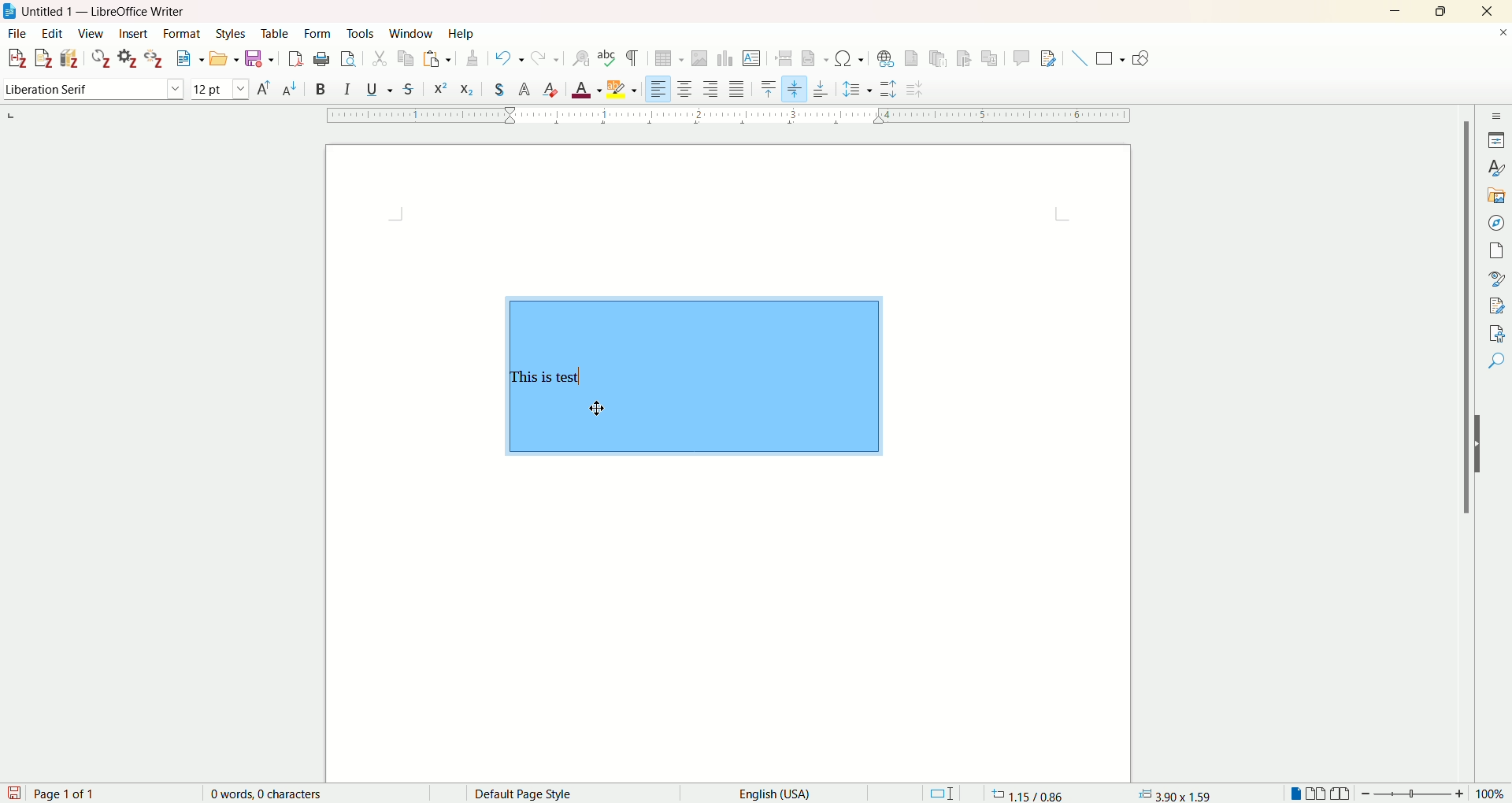 The height and width of the screenshot is (803, 1512). What do you see at coordinates (1097, 89) in the screenshot?
I see `insert caption` at bounding box center [1097, 89].